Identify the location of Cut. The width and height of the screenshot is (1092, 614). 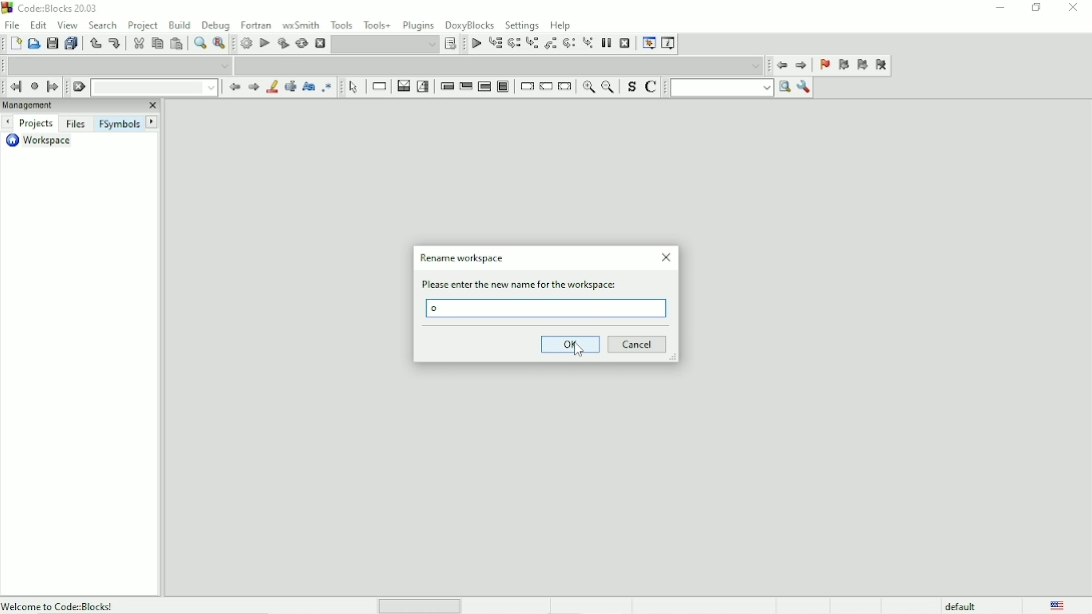
(138, 43).